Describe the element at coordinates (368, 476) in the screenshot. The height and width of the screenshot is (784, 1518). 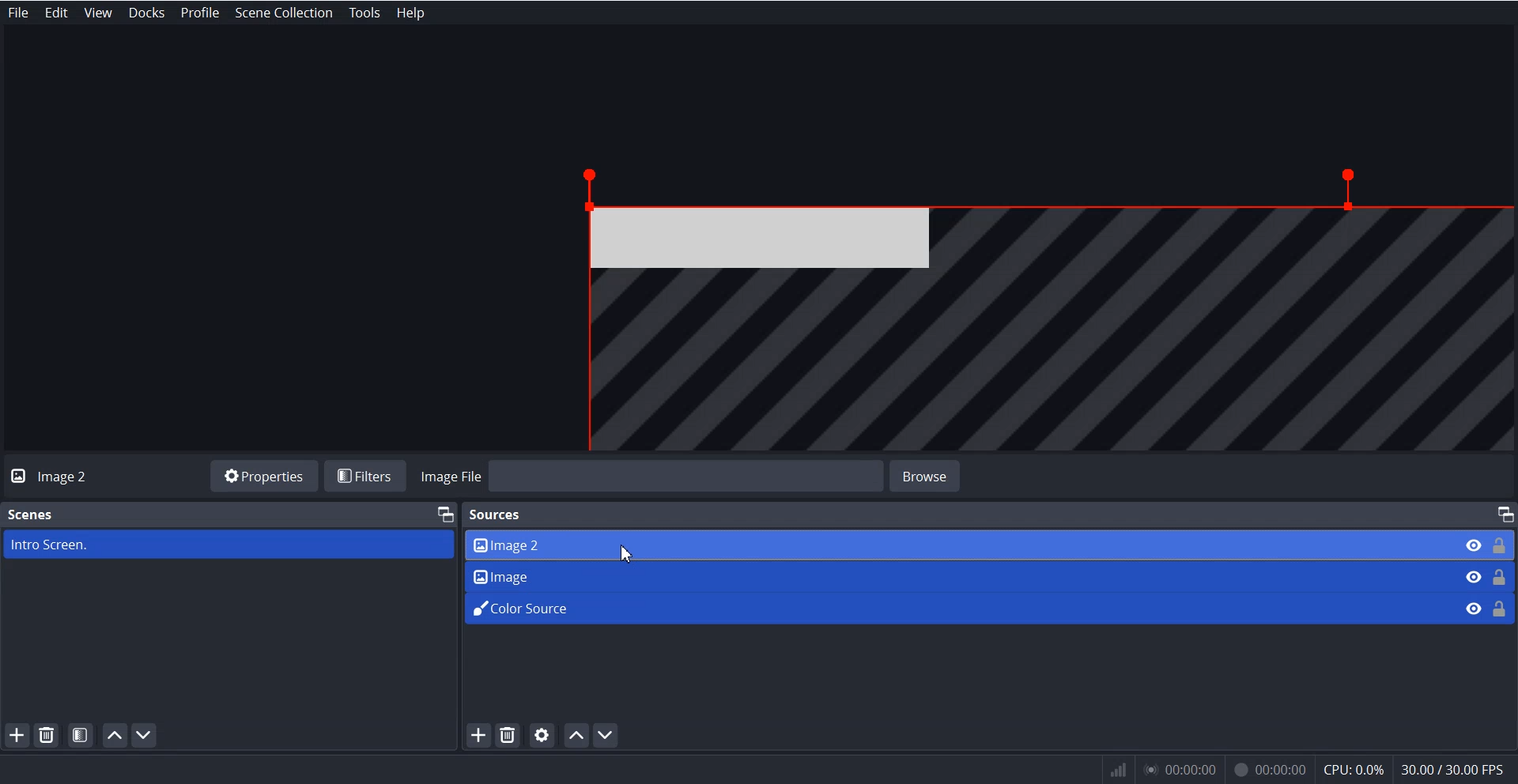
I see `Filters` at that location.